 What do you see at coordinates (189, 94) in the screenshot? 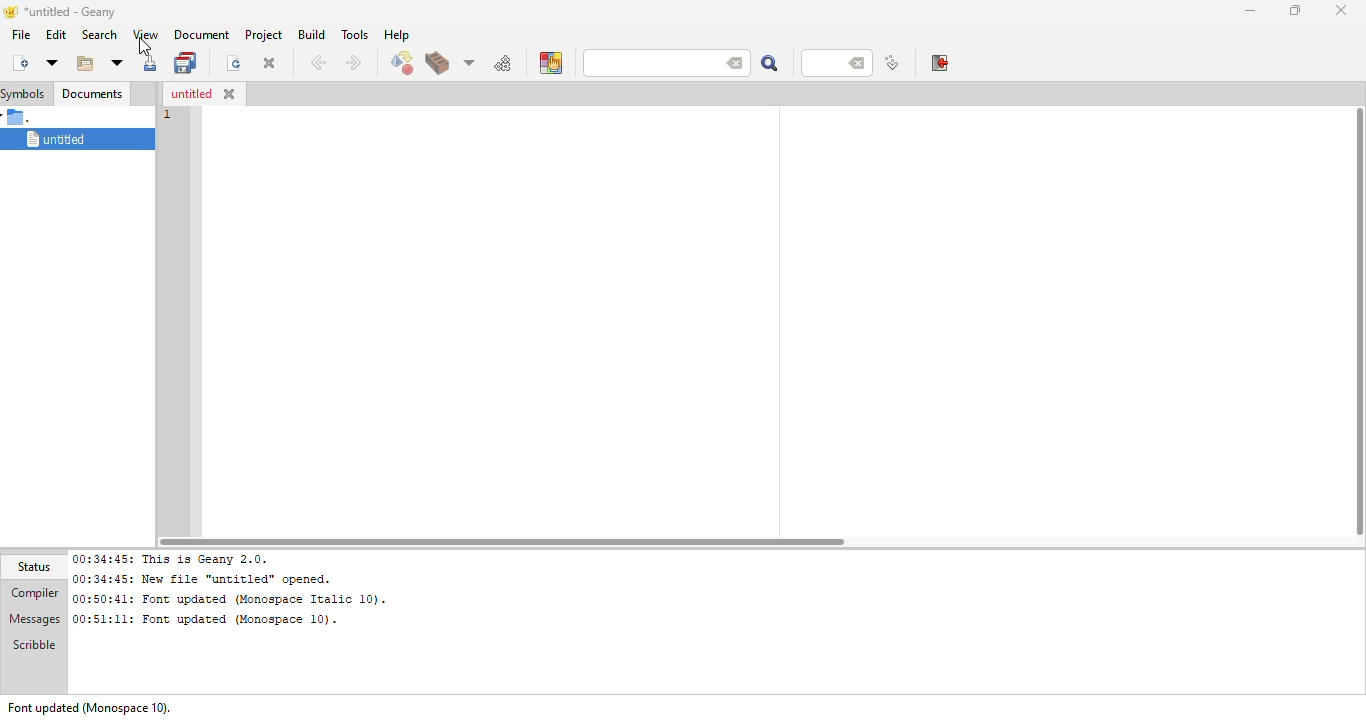
I see `untitled` at bounding box center [189, 94].